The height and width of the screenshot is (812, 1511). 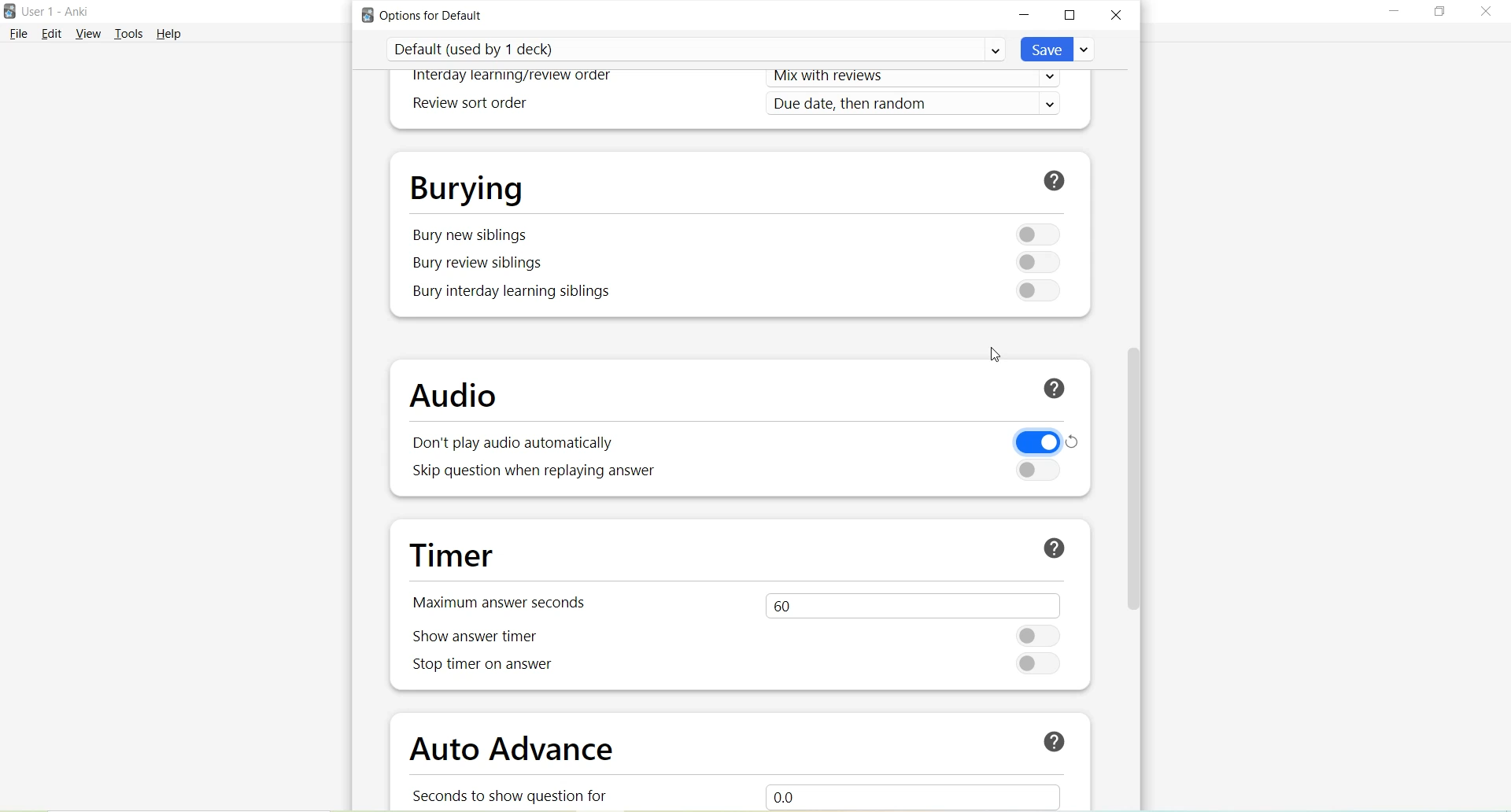 What do you see at coordinates (1070, 17) in the screenshot?
I see `Maximize` at bounding box center [1070, 17].